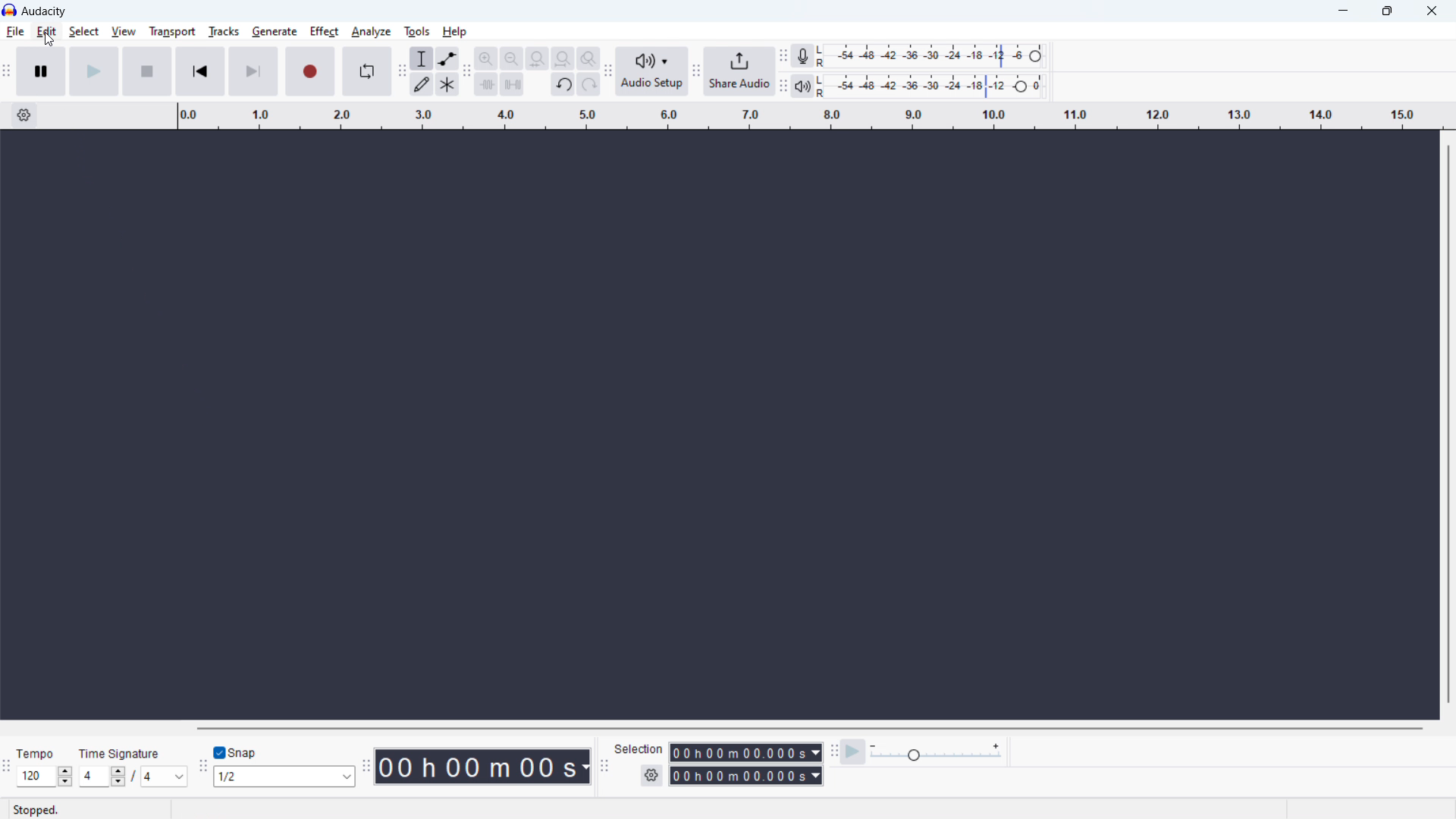 Image resolution: width=1456 pixels, height=819 pixels. I want to click on vertical scrollbar, so click(1450, 424).